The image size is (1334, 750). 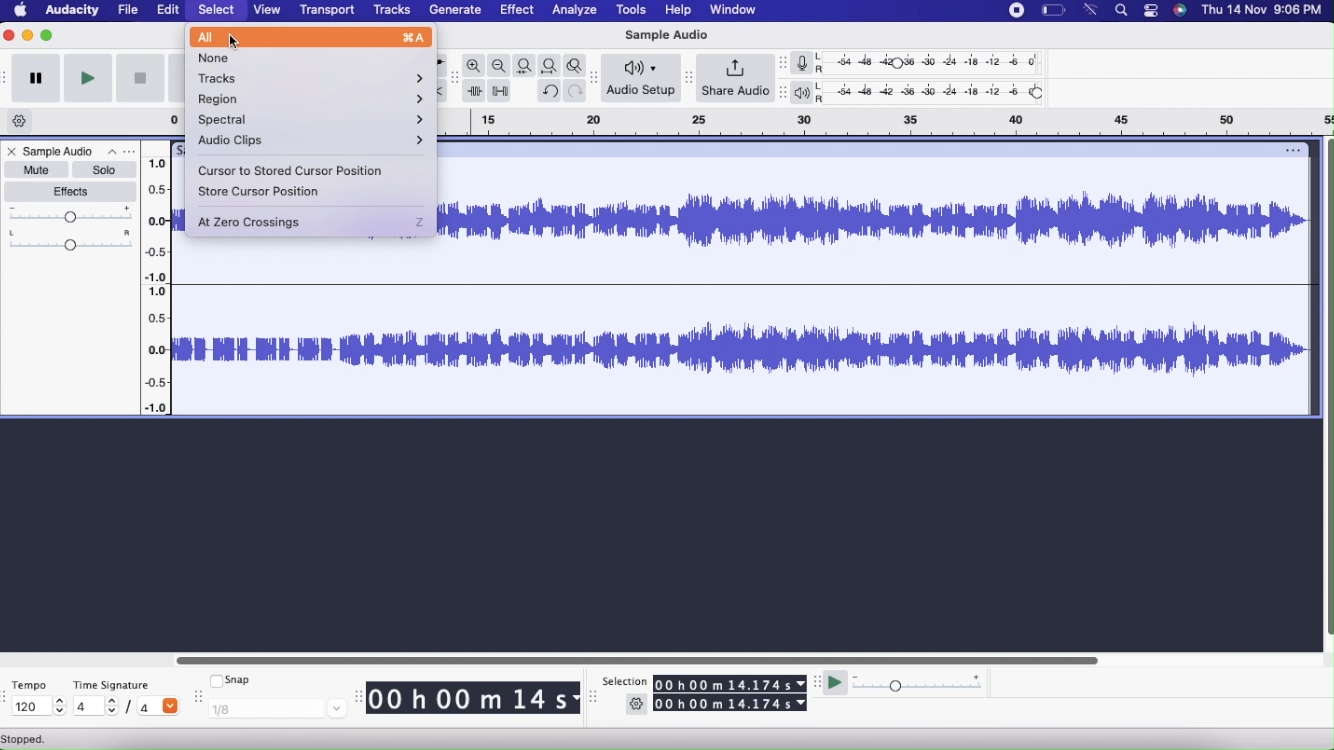 What do you see at coordinates (937, 94) in the screenshot?
I see `Playback level` at bounding box center [937, 94].